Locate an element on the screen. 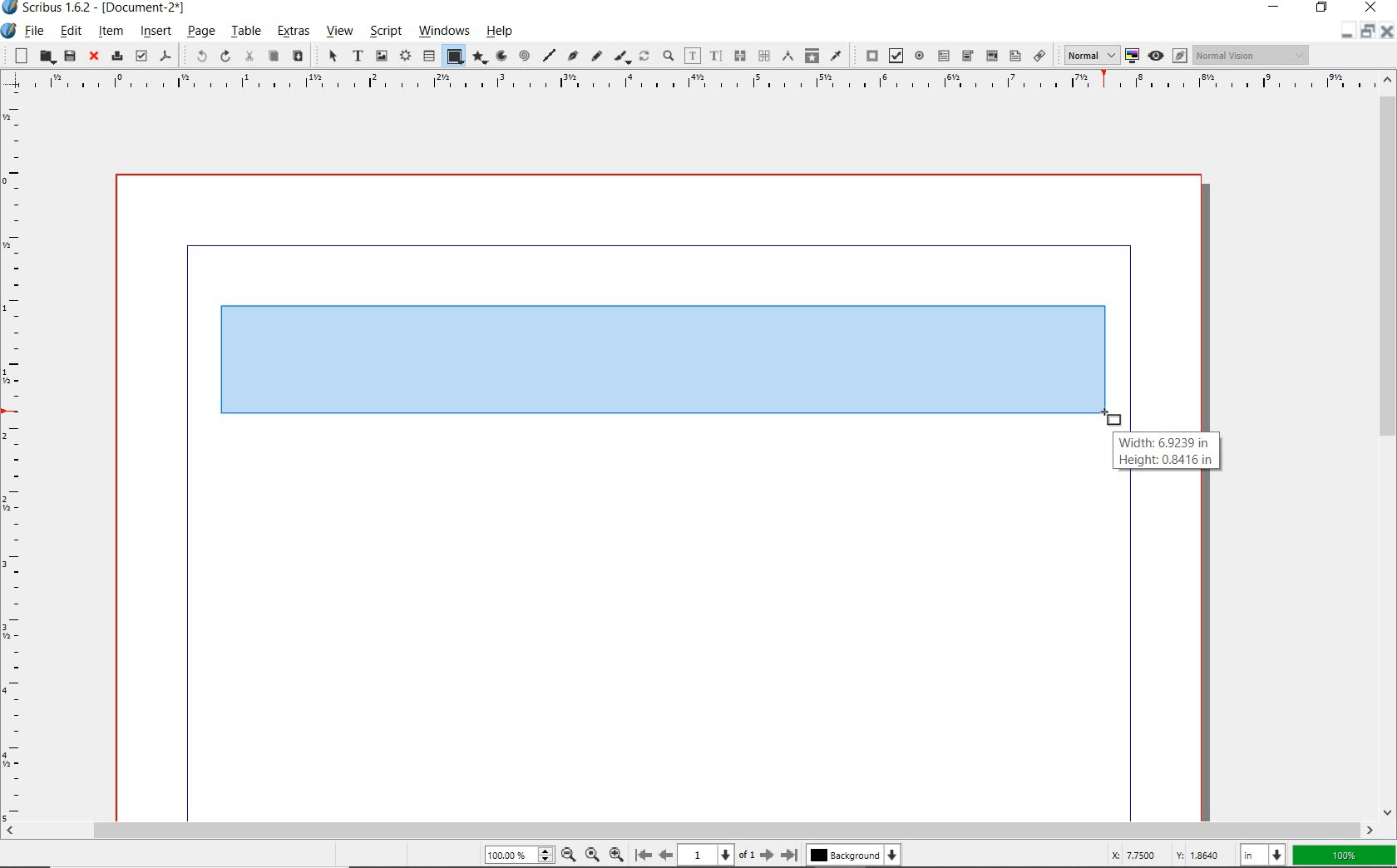  background is located at coordinates (856, 855).